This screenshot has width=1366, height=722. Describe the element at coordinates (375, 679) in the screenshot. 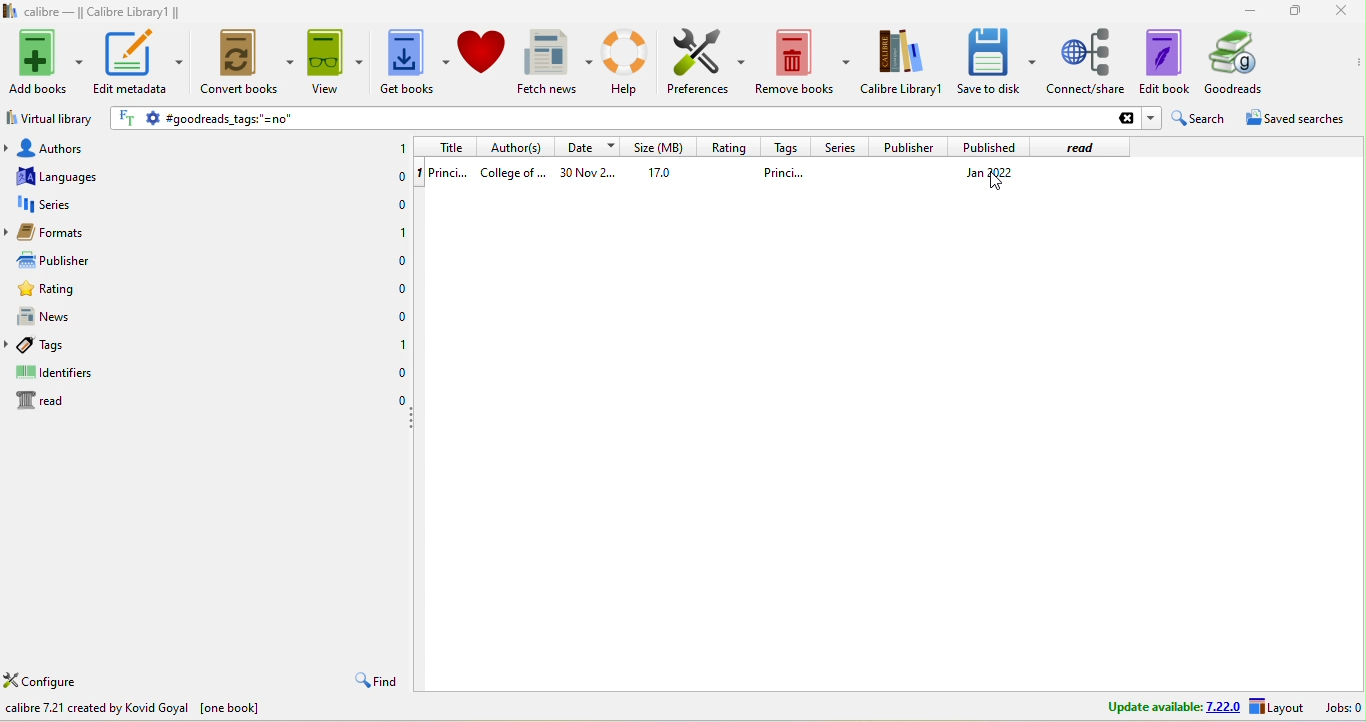

I see `find` at that location.